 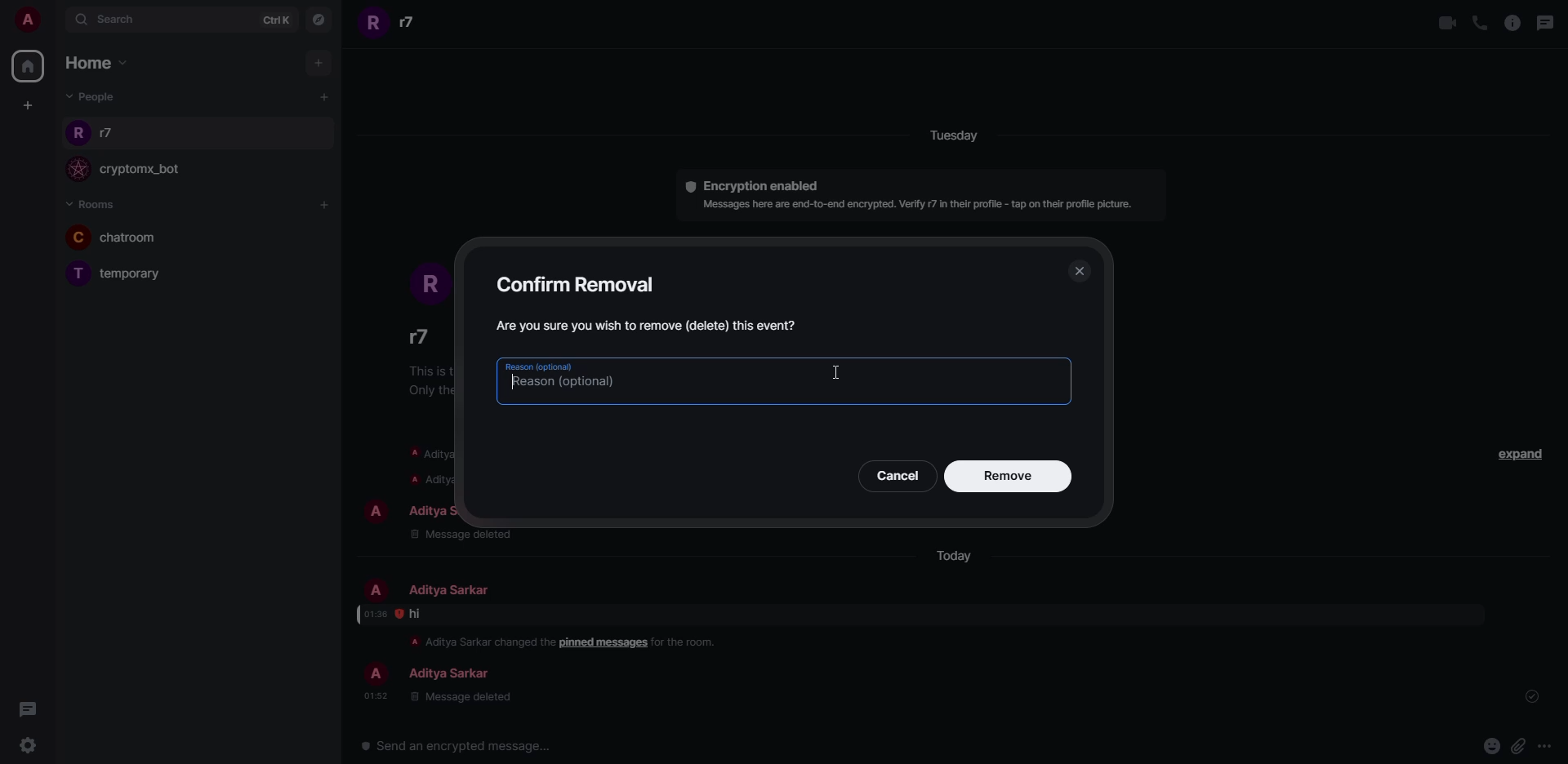 What do you see at coordinates (149, 274) in the screenshot?
I see `room` at bounding box center [149, 274].